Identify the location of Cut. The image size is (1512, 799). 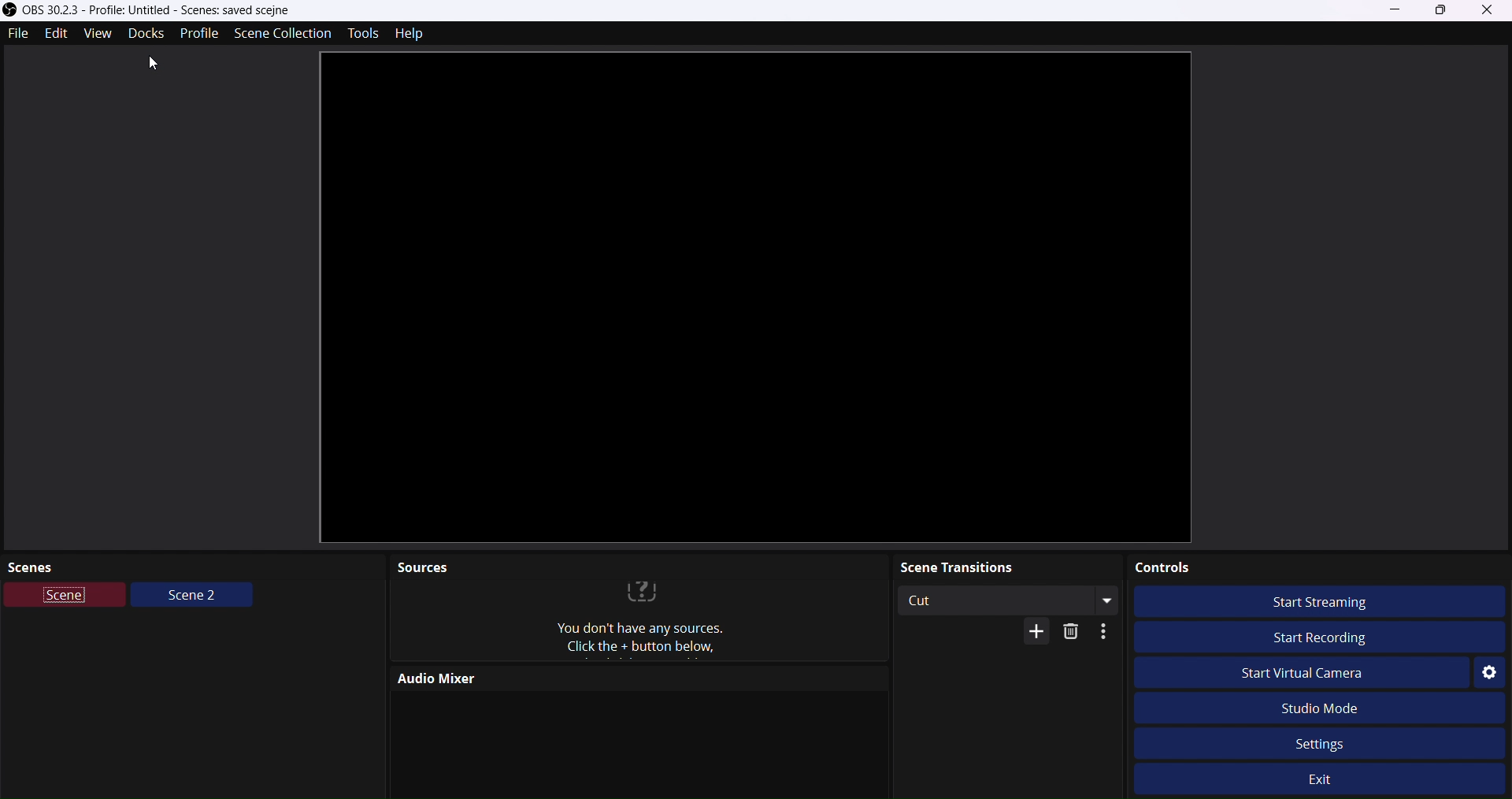
(991, 600).